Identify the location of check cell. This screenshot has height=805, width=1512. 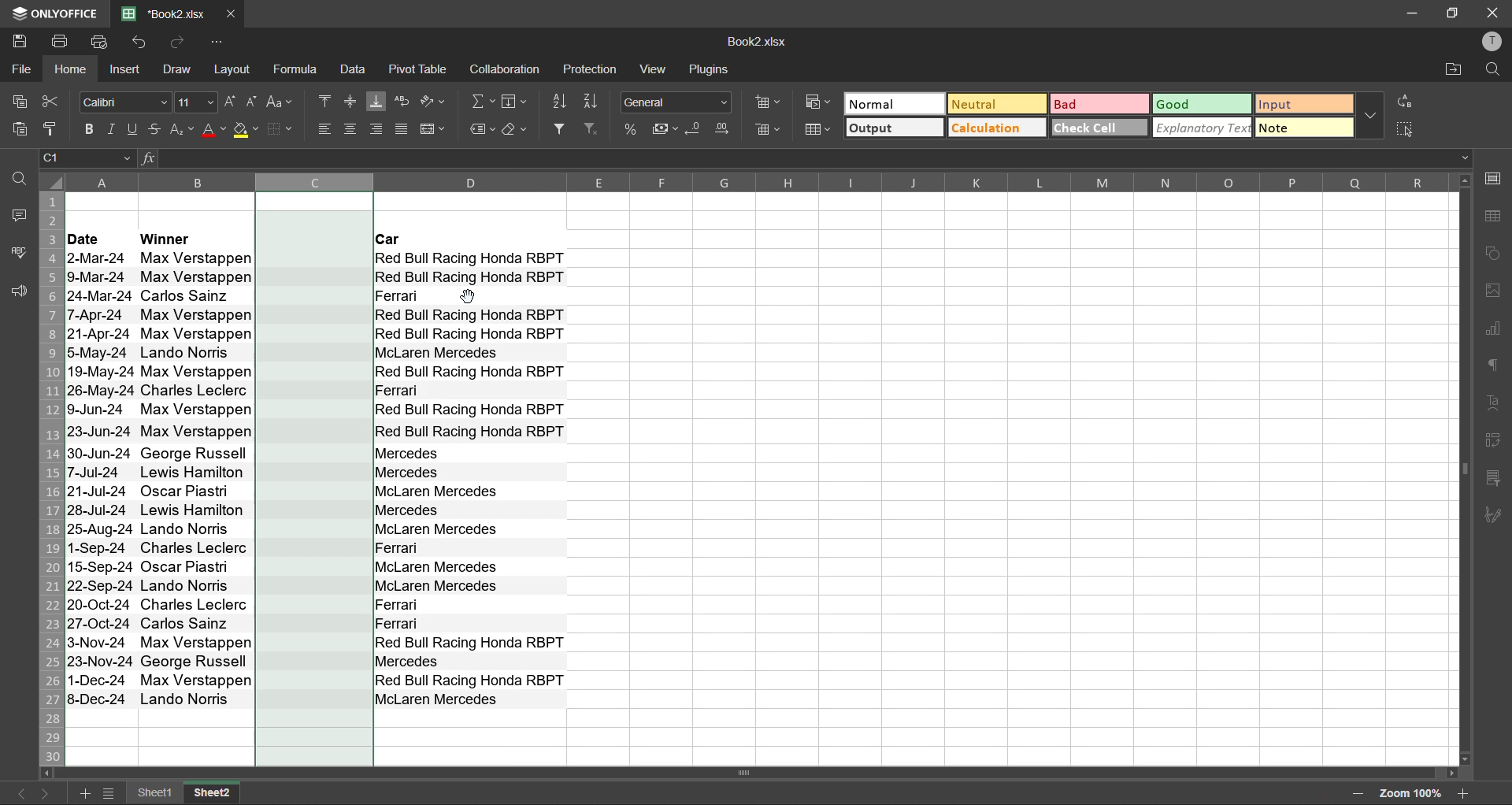
(1095, 131).